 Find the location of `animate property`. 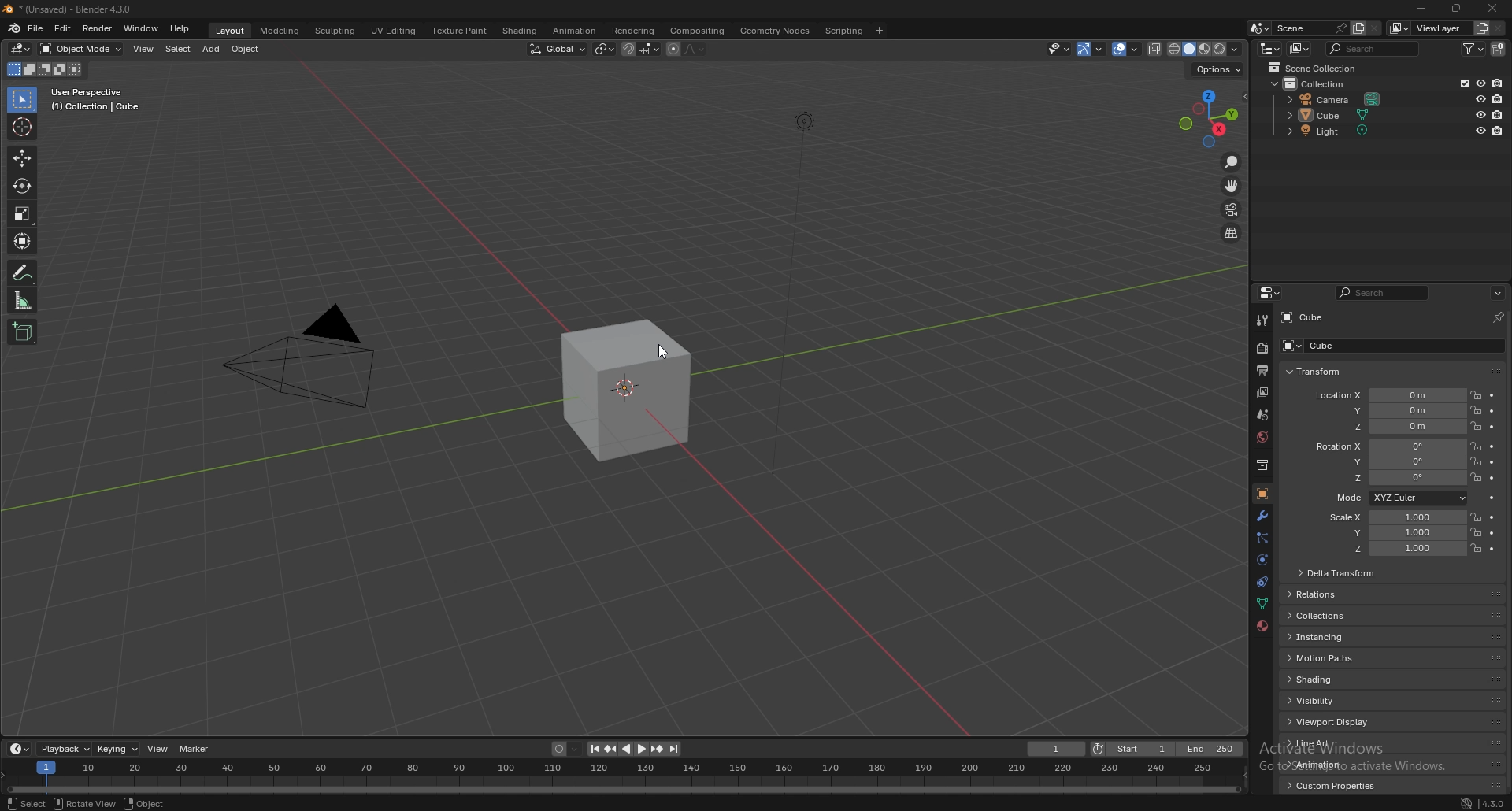

animate property is located at coordinates (1492, 517).